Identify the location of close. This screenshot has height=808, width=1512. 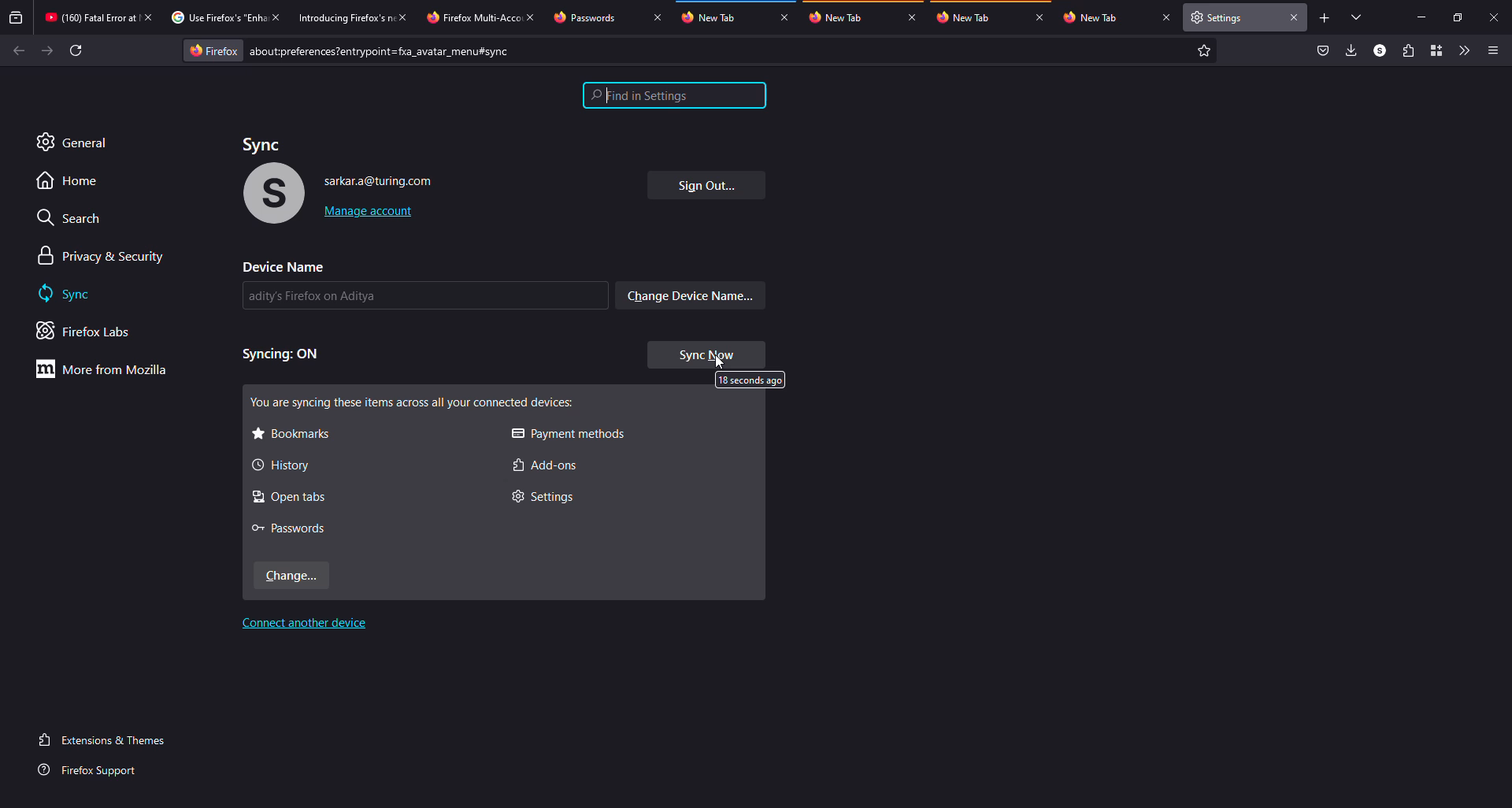
(915, 17).